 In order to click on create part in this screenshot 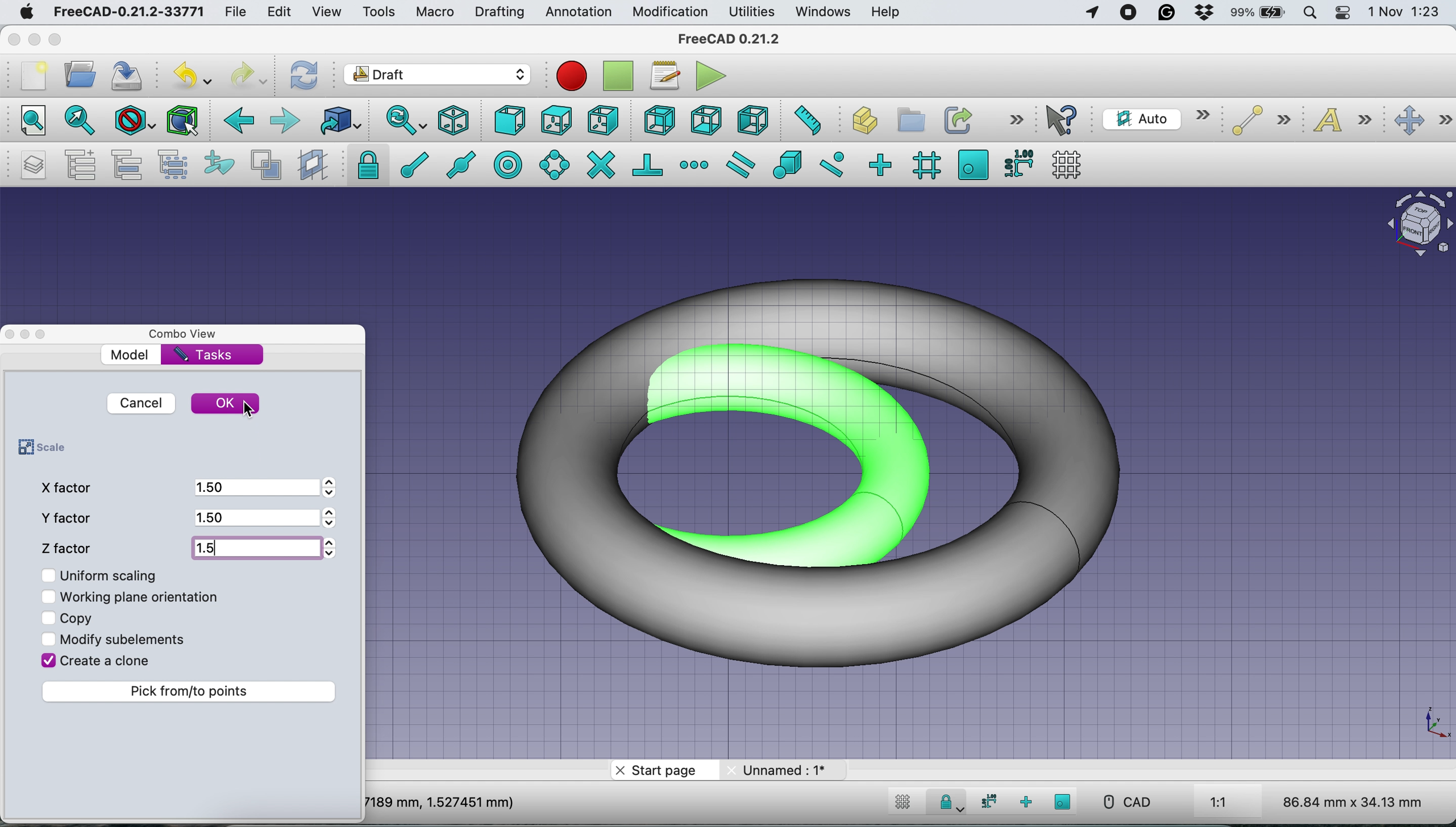, I will do `click(859, 122)`.